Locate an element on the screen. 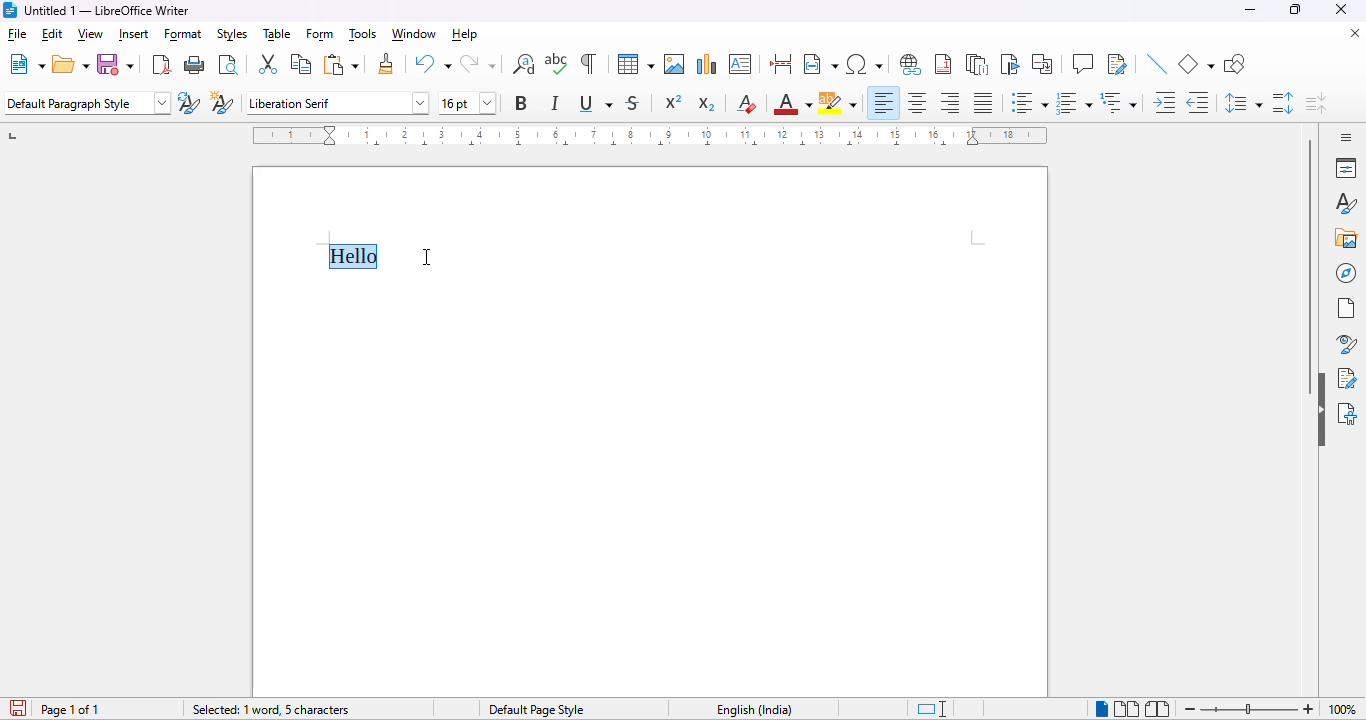 The width and height of the screenshot is (1366, 720). new is located at coordinates (26, 64).